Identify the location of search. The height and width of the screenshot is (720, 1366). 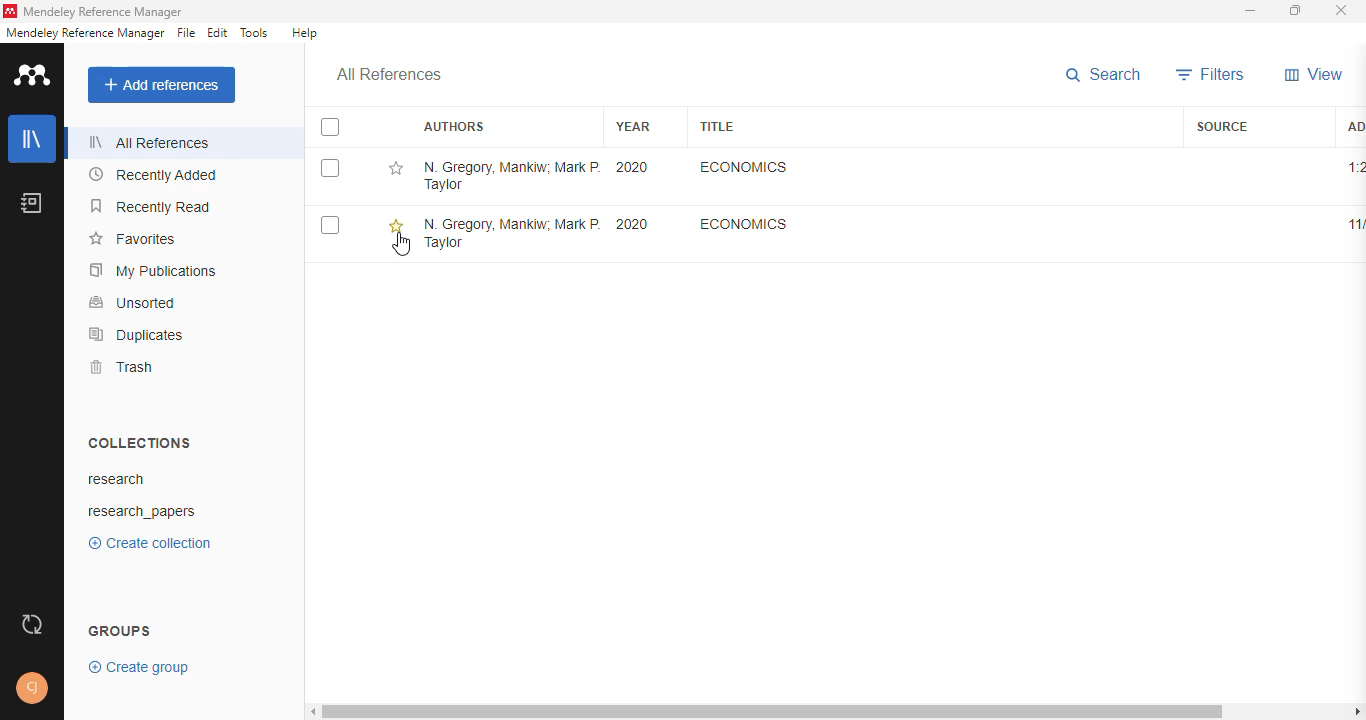
(1102, 75).